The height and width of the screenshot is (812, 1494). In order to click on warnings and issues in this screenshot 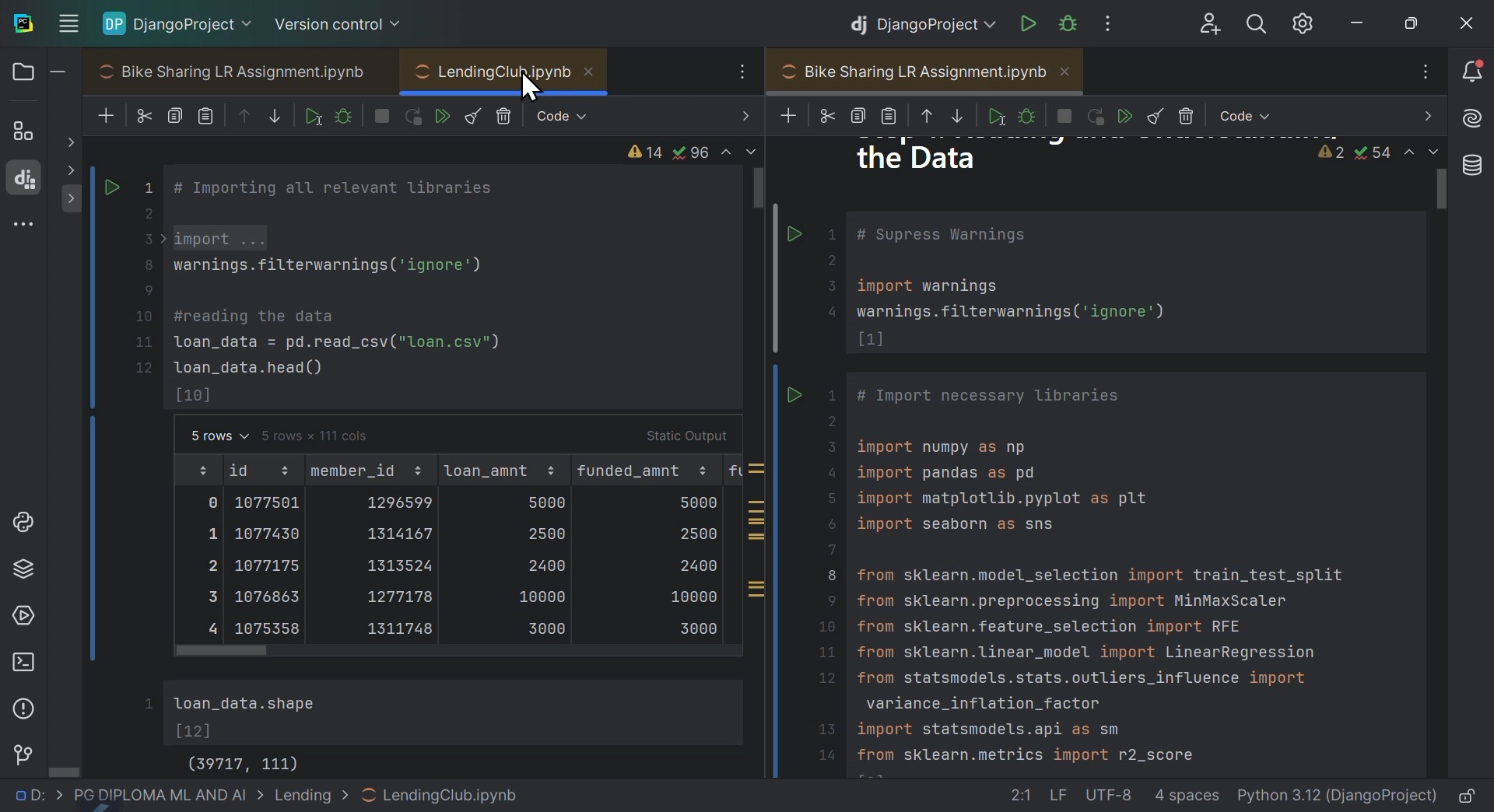, I will do `click(1377, 152)`.